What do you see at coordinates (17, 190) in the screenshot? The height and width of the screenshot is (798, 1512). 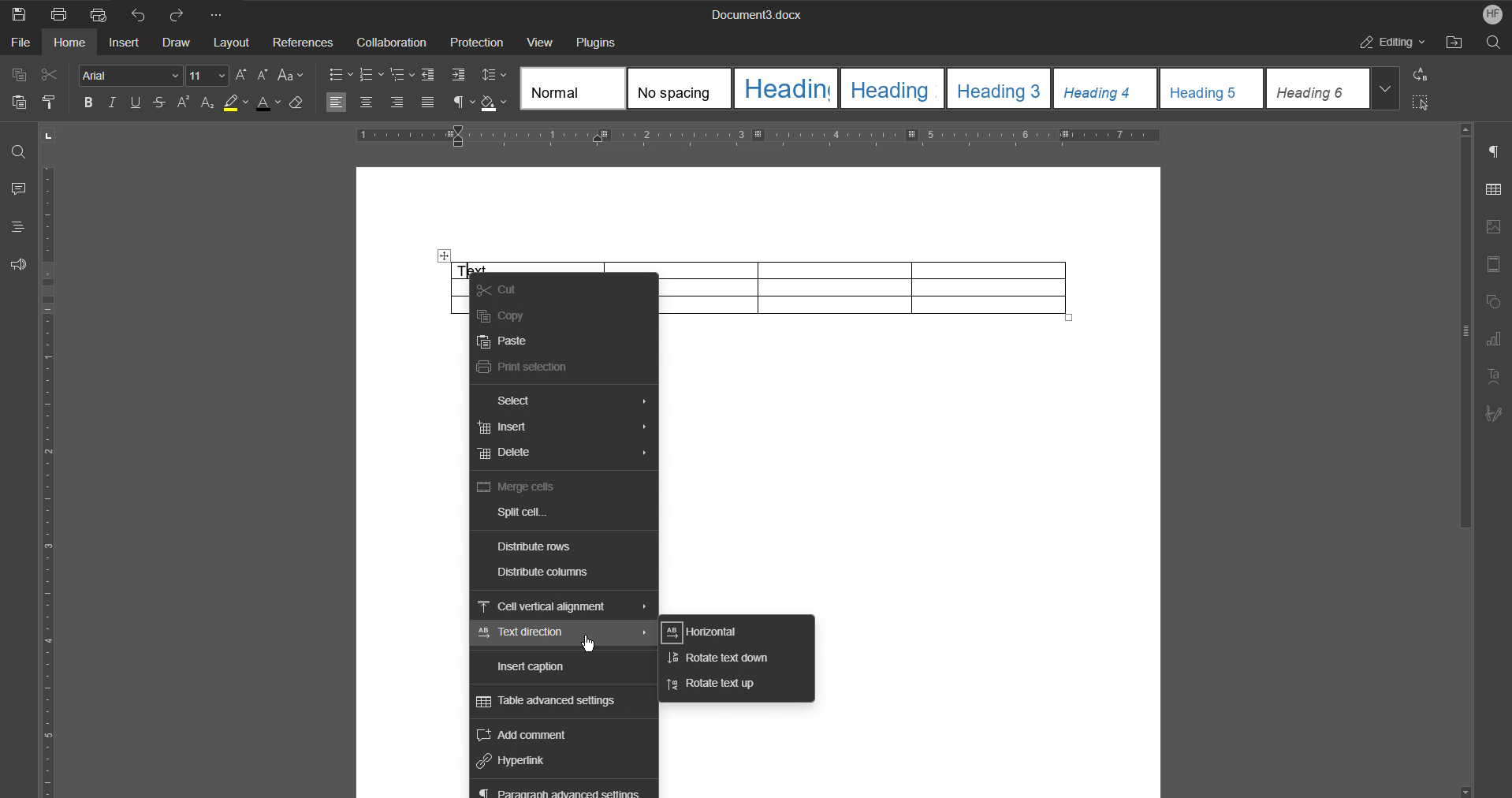 I see `Comment` at bounding box center [17, 190].